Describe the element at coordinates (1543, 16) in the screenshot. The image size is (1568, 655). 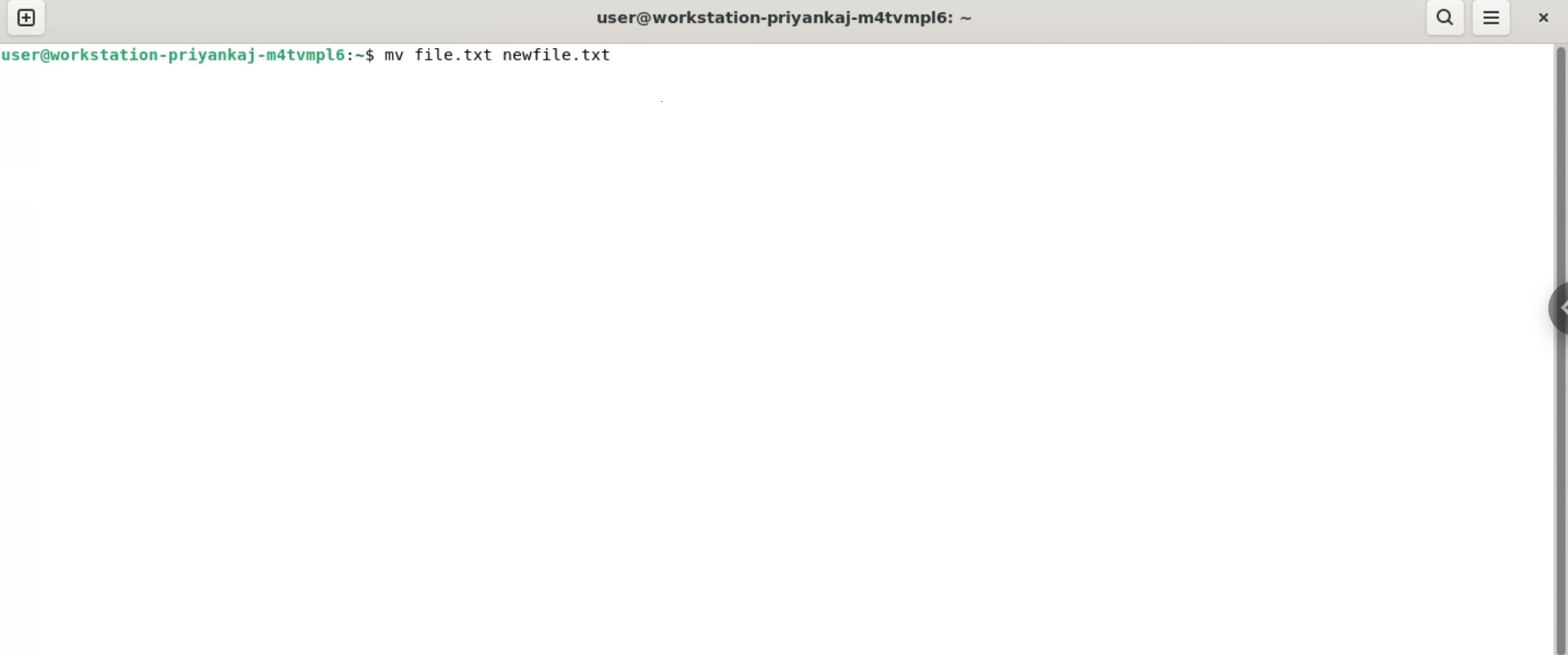
I see `close` at that location.